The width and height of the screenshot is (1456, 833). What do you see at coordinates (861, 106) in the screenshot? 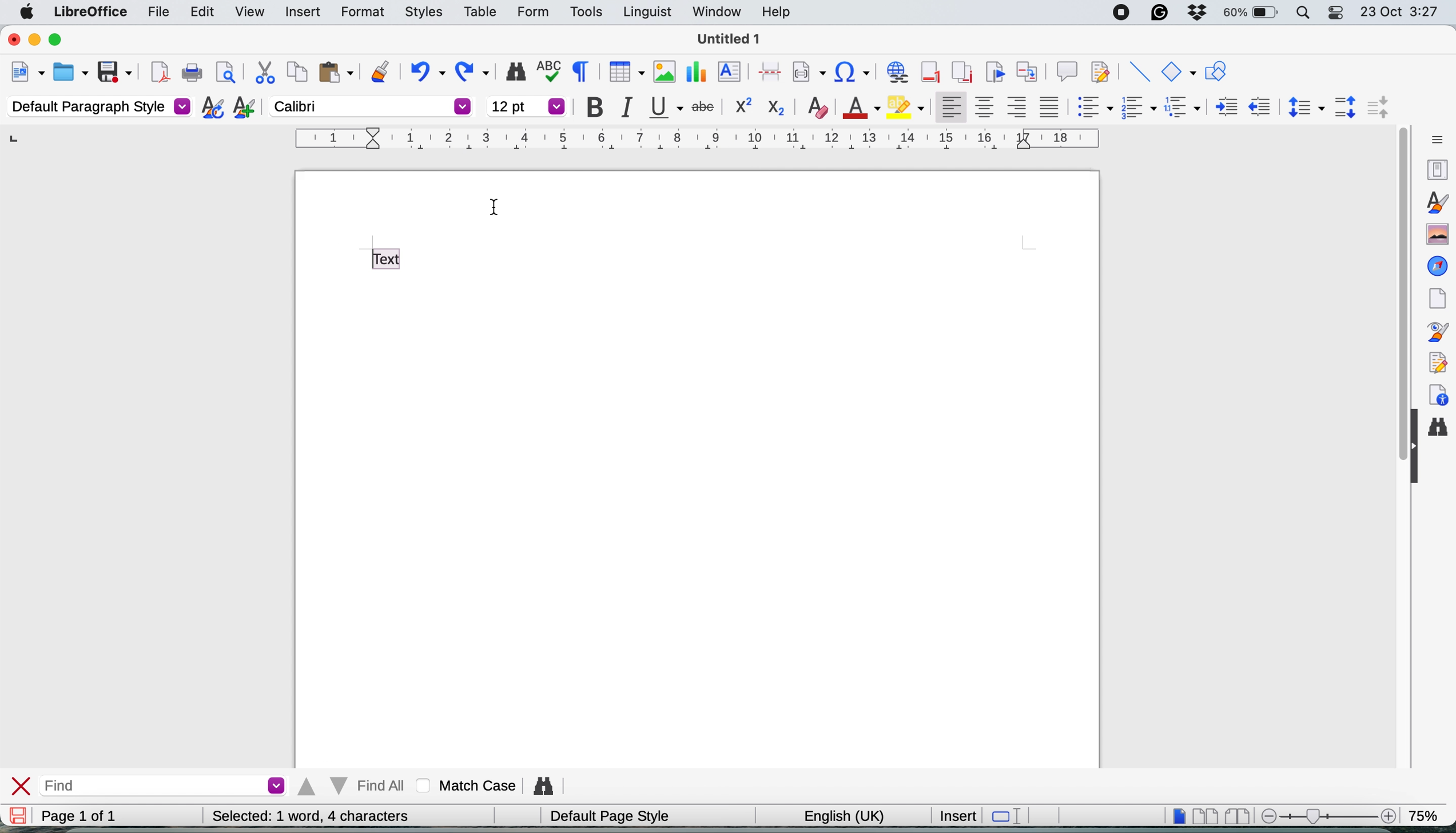
I see `text color` at bounding box center [861, 106].